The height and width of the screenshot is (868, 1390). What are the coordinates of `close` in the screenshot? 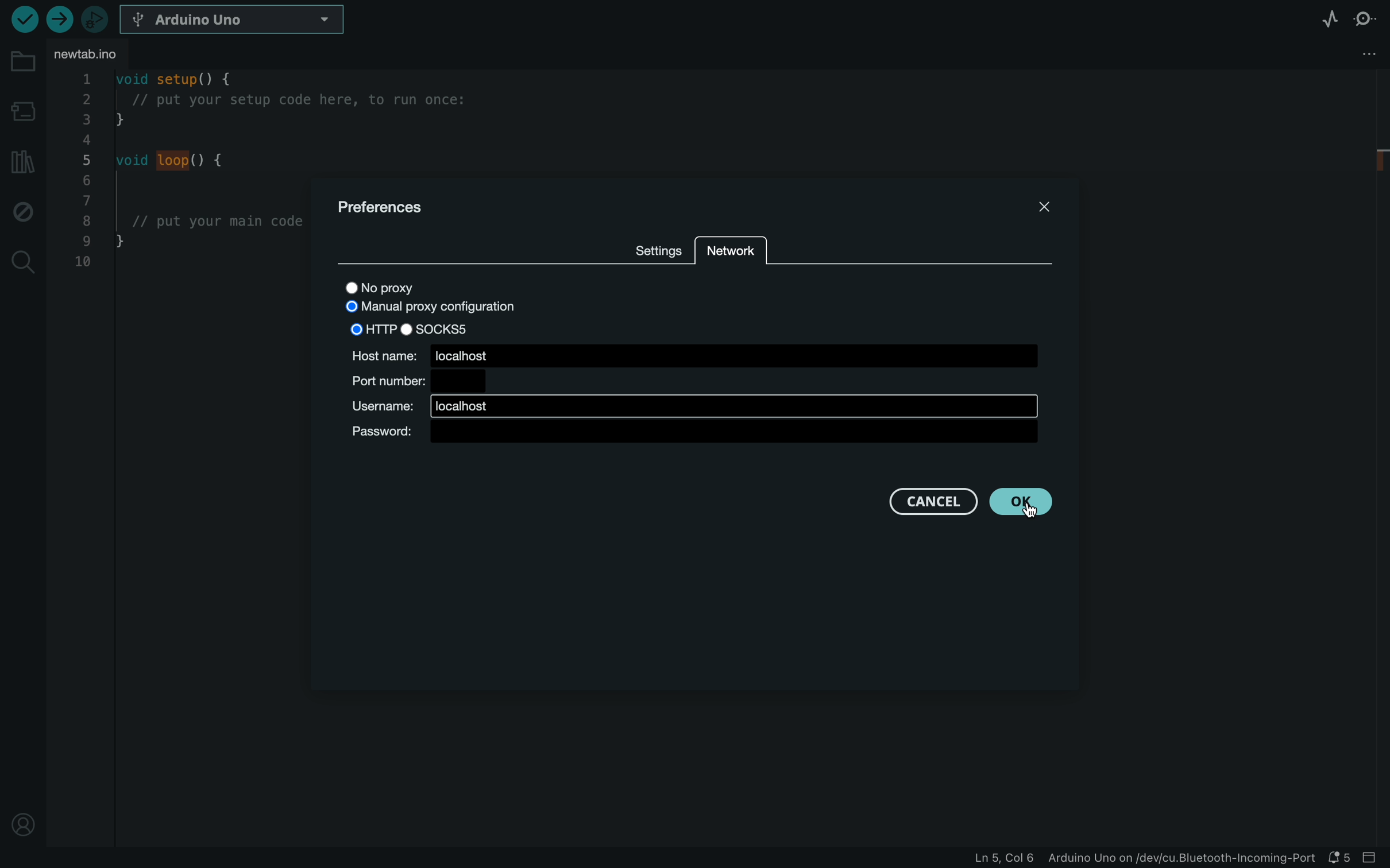 It's located at (1045, 204).